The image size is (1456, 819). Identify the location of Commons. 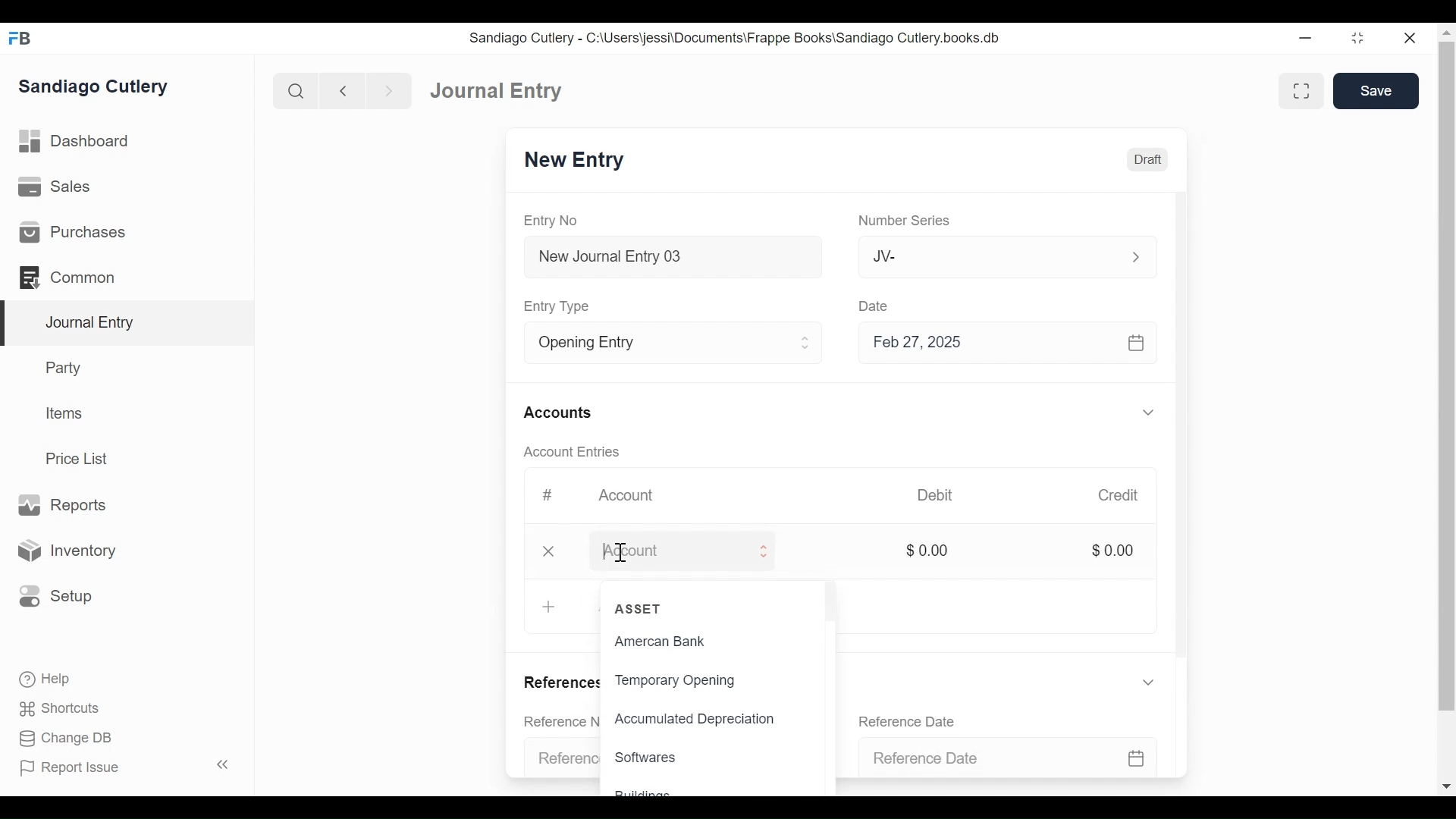
(66, 277).